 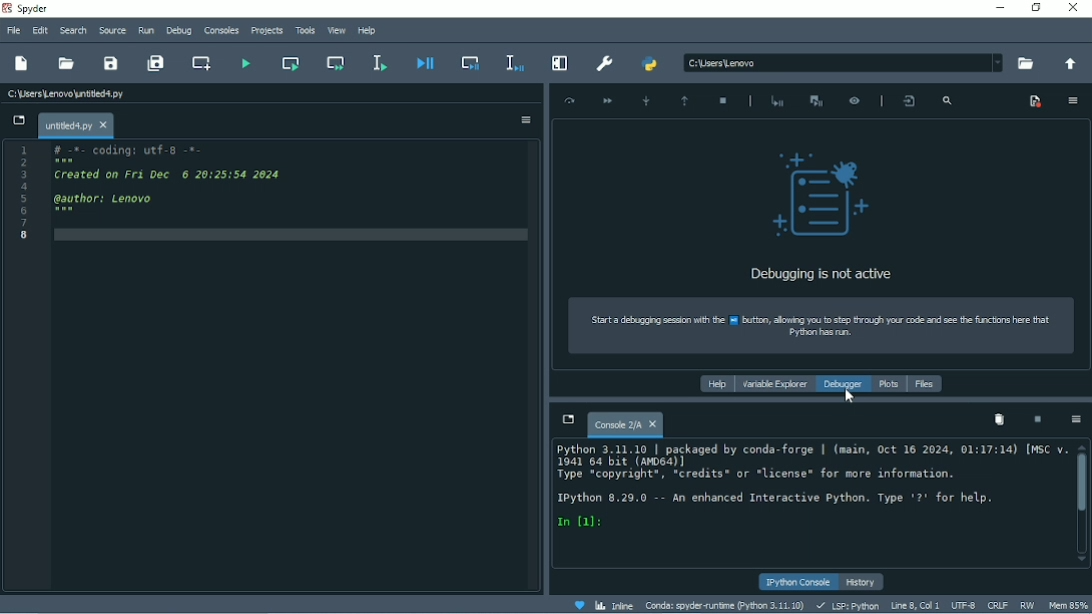 I want to click on 1 #-c- coding: wef-p -=-

5 Crested on ri vec © 20125150 2626

S awthor: Lenovo

Cg
LE, so click(x=157, y=196).